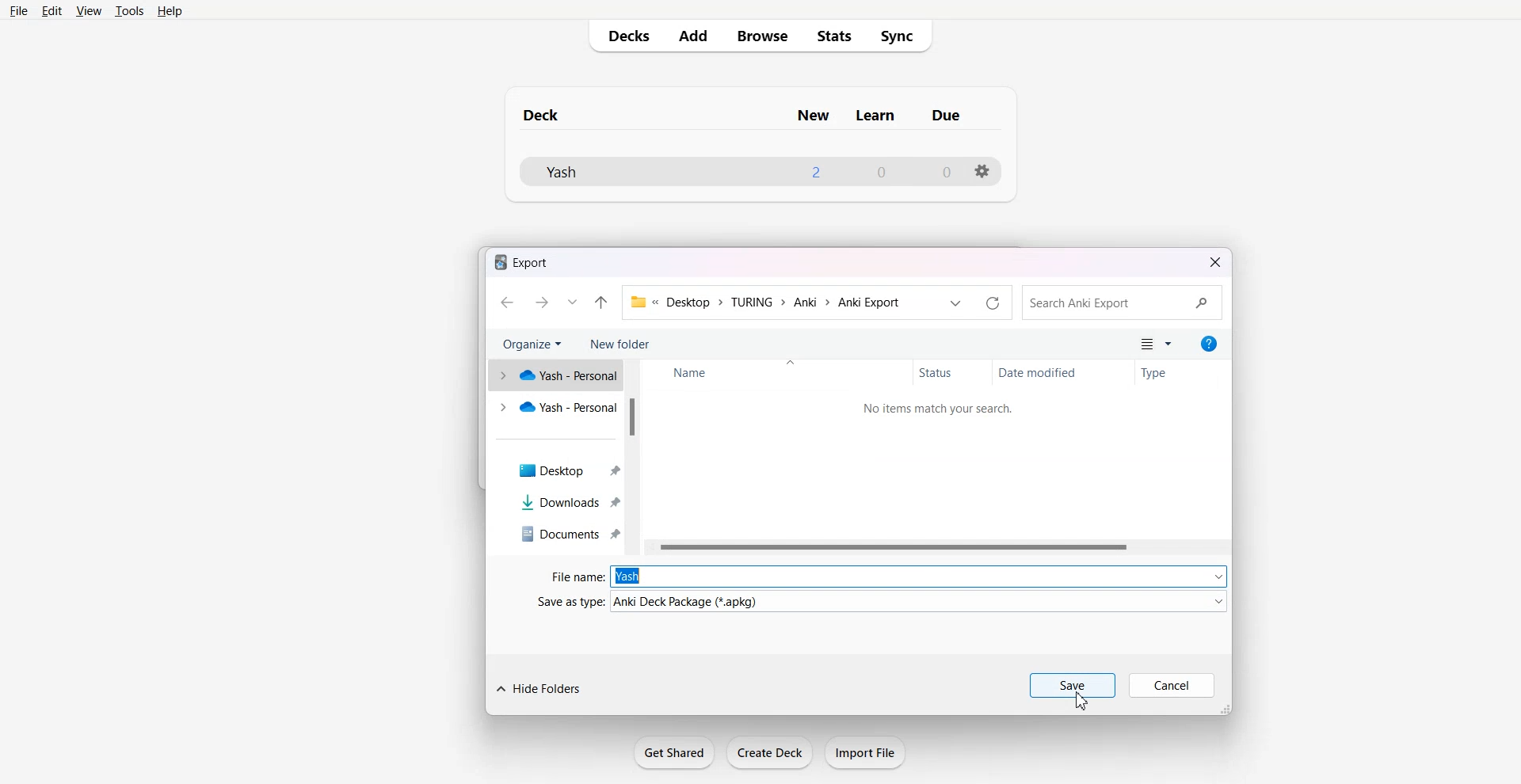 Image resolution: width=1521 pixels, height=784 pixels. What do you see at coordinates (602, 302) in the screenshot?
I see `Up to` at bounding box center [602, 302].